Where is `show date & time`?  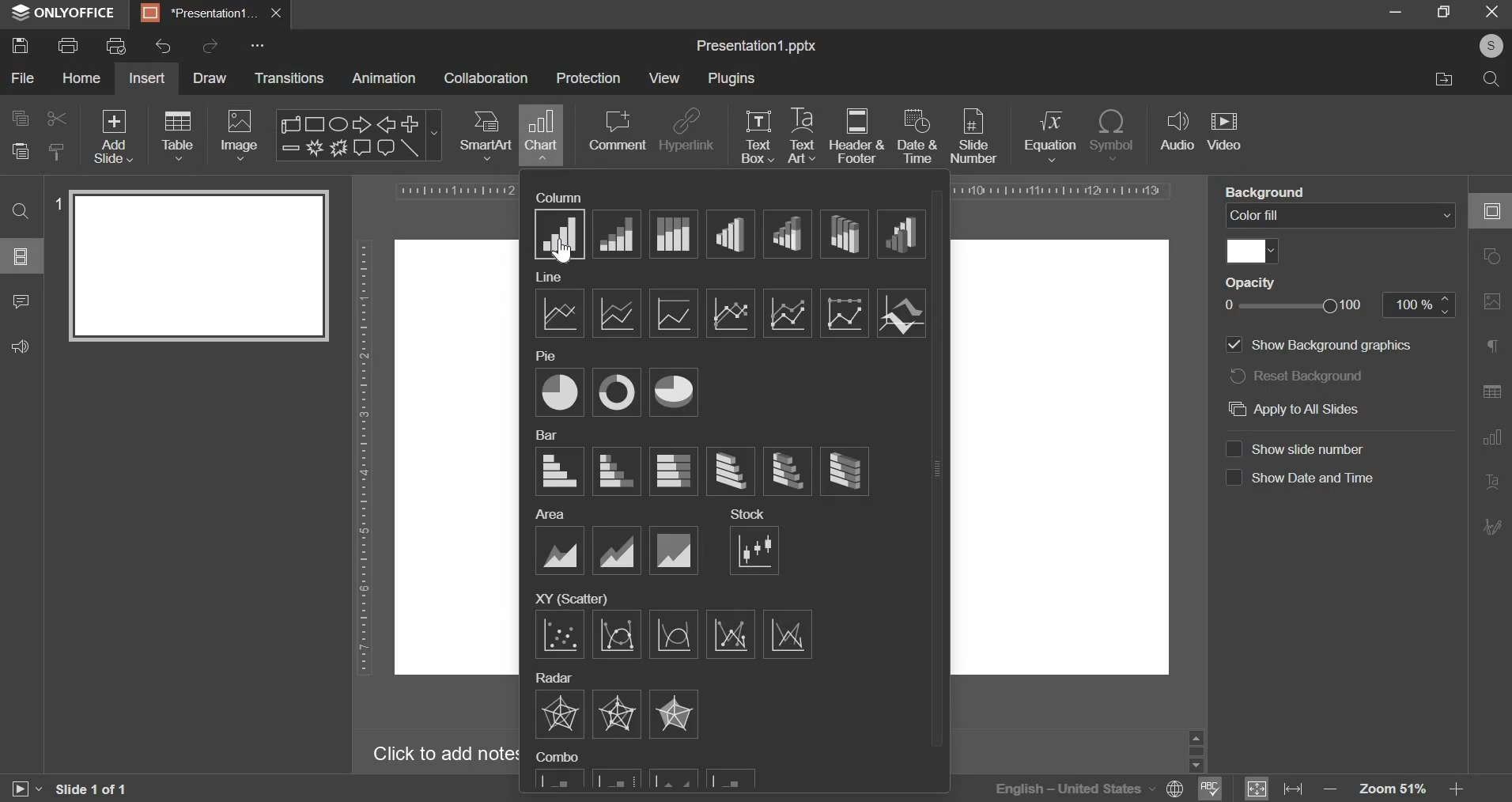 show date & time is located at coordinates (1312, 476).